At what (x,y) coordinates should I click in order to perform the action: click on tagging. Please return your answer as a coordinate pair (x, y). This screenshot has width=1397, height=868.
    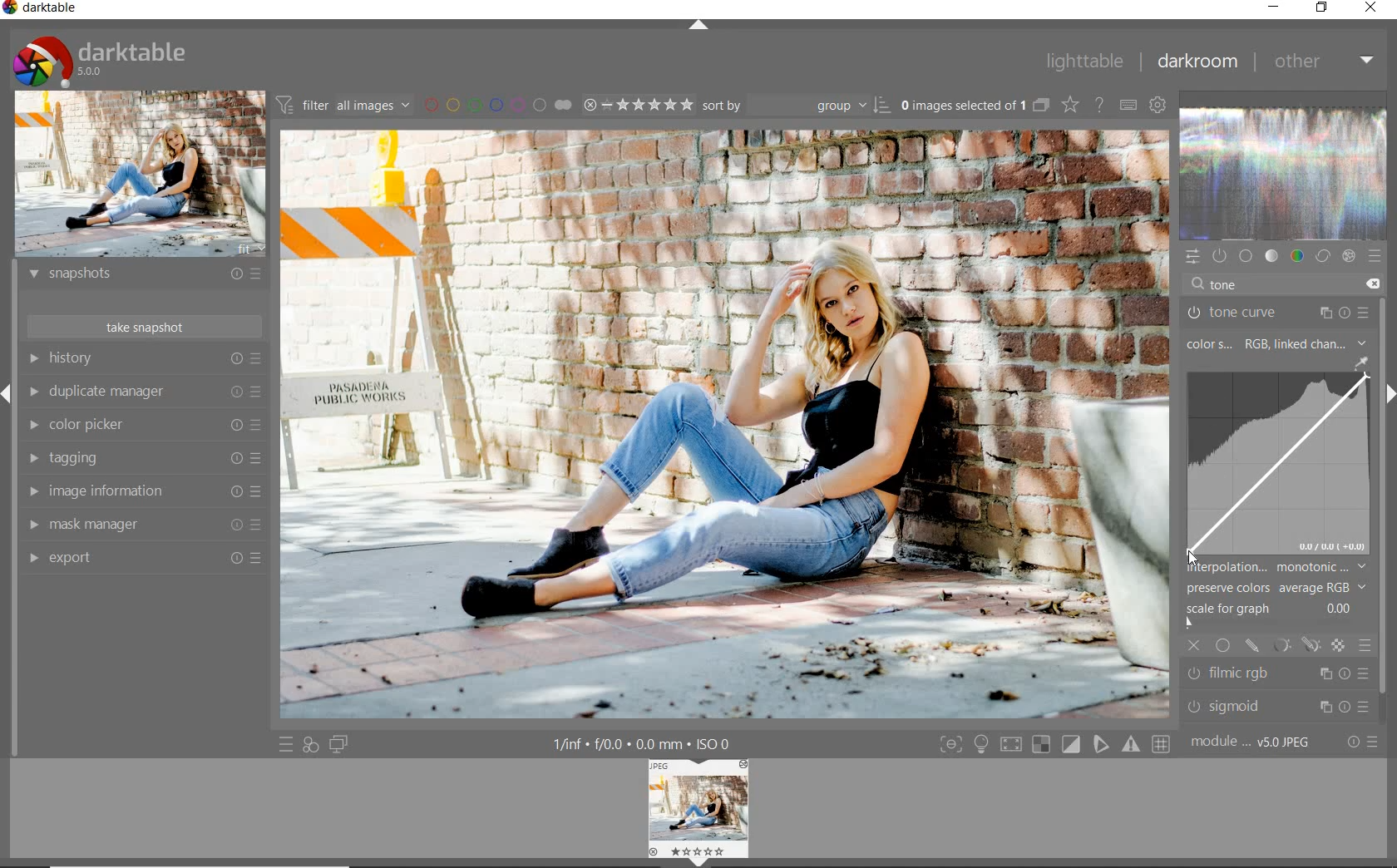
    Looking at the image, I should click on (144, 457).